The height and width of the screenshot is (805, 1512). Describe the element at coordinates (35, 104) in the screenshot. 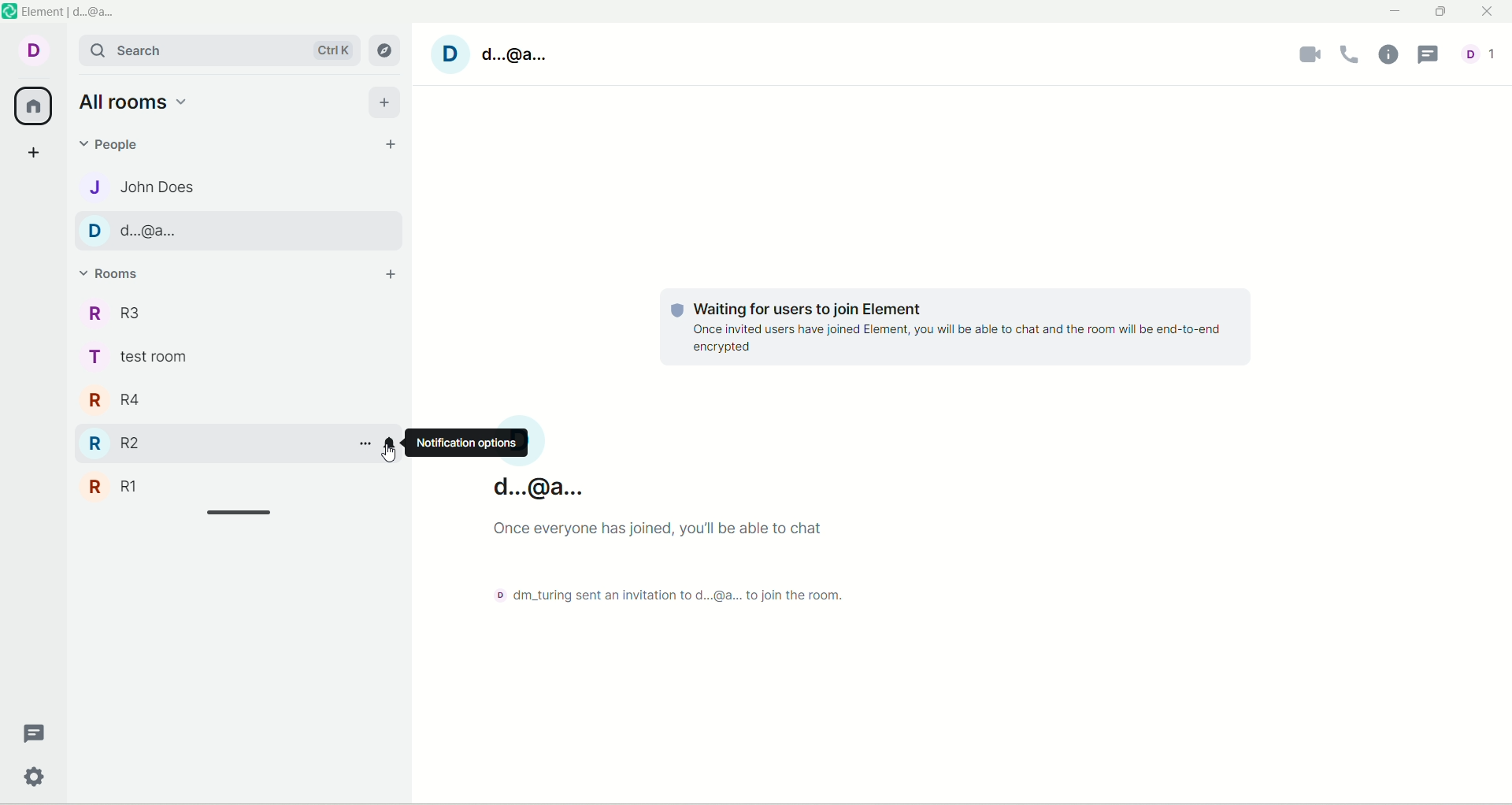

I see `all rooms` at that location.